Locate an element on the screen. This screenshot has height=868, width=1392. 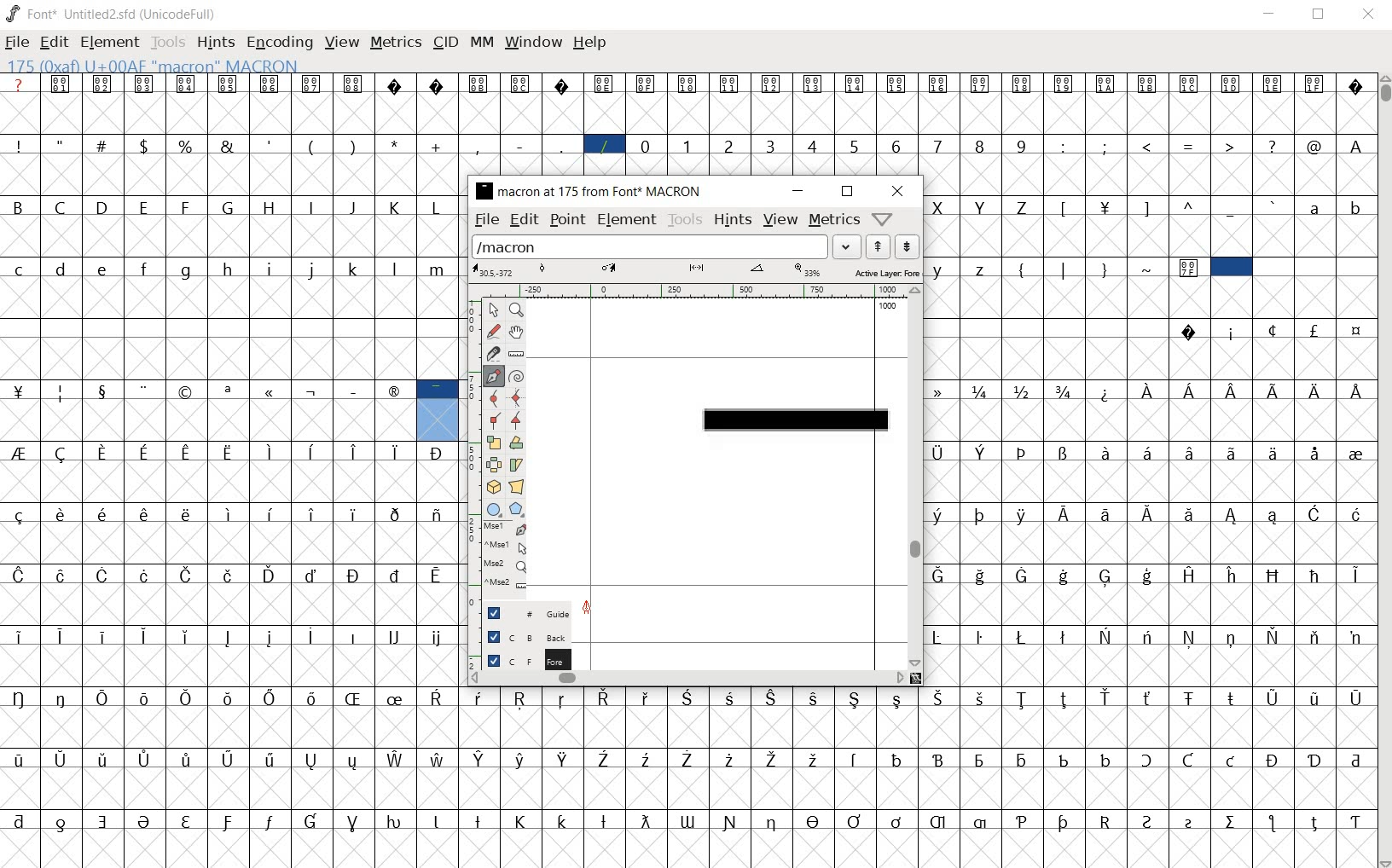
freehand is located at coordinates (491, 331).